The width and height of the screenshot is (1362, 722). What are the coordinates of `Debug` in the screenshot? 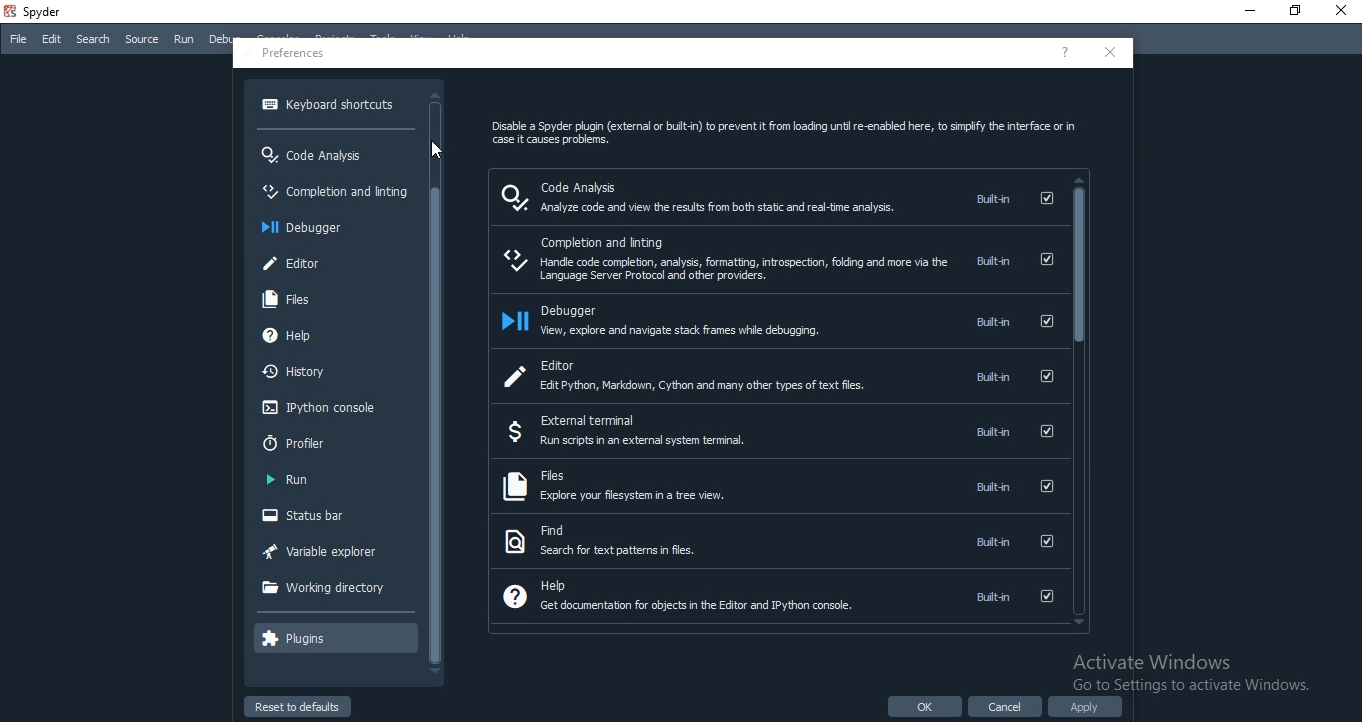 It's located at (223, 39).